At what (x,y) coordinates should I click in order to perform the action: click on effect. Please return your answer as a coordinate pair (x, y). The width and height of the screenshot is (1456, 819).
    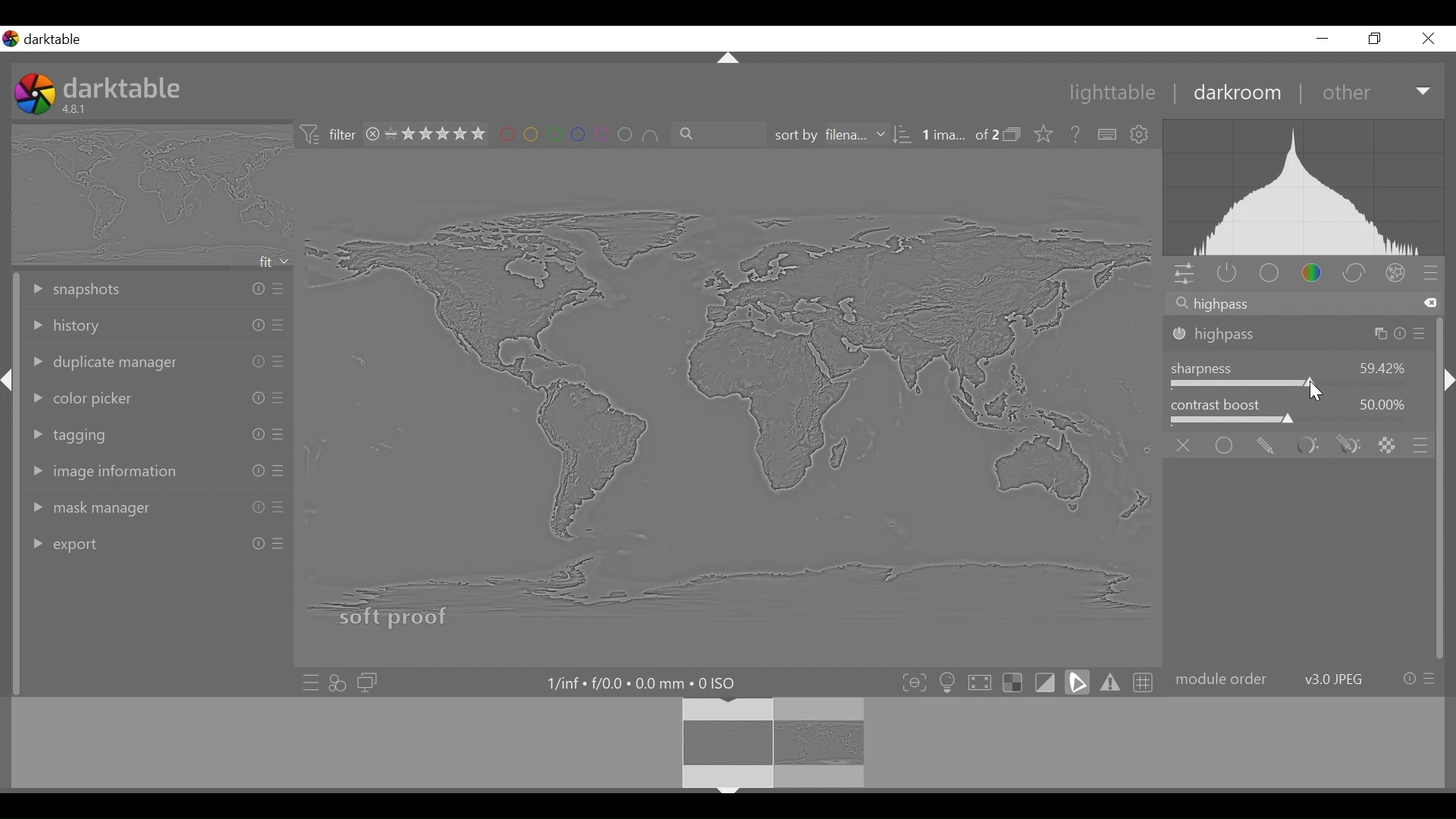
    Looking at the image, I should click on (1396, 274).